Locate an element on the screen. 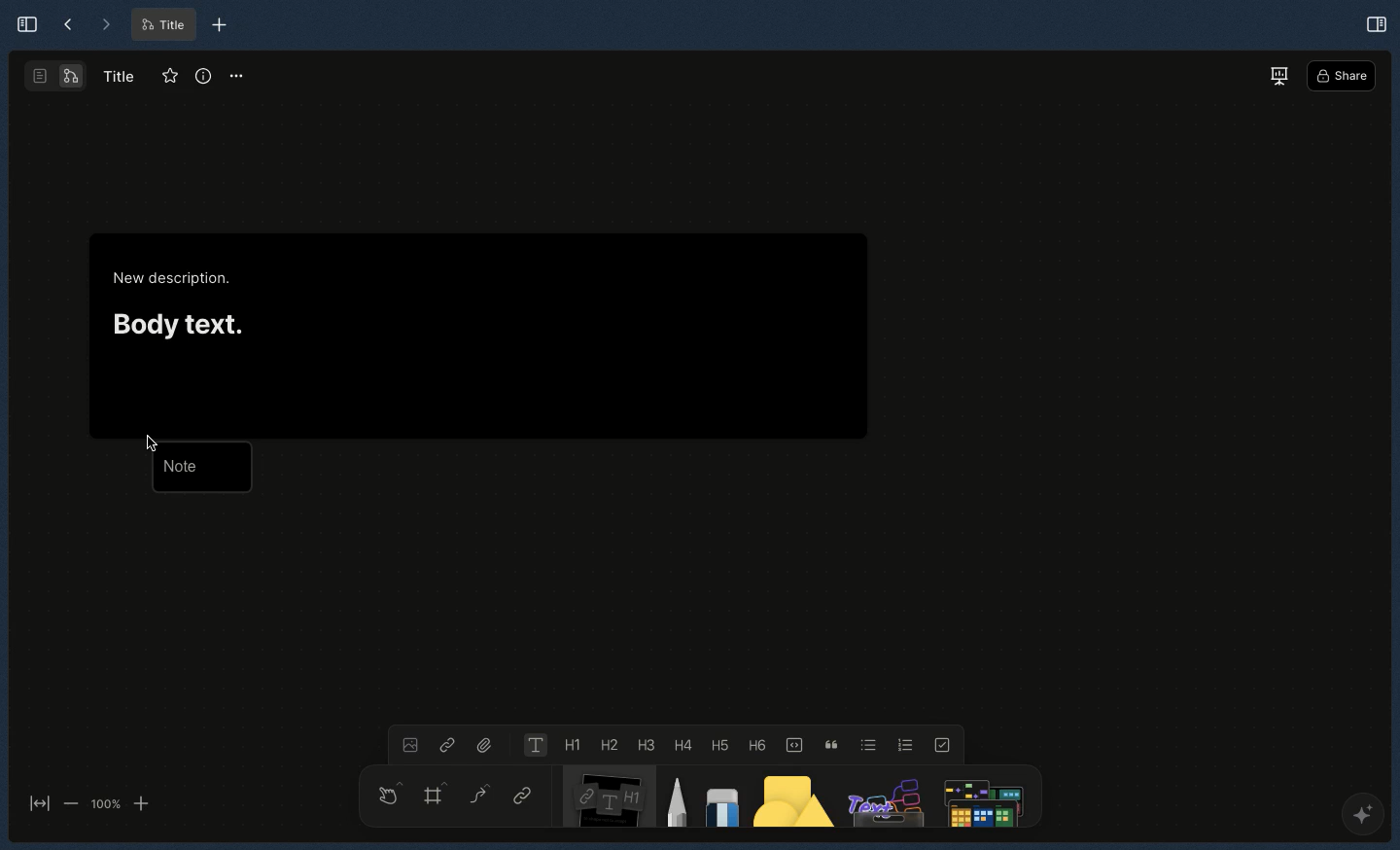 The width and height of the screenshot is (1400, 850). Title is located at coordinates (117, 75).